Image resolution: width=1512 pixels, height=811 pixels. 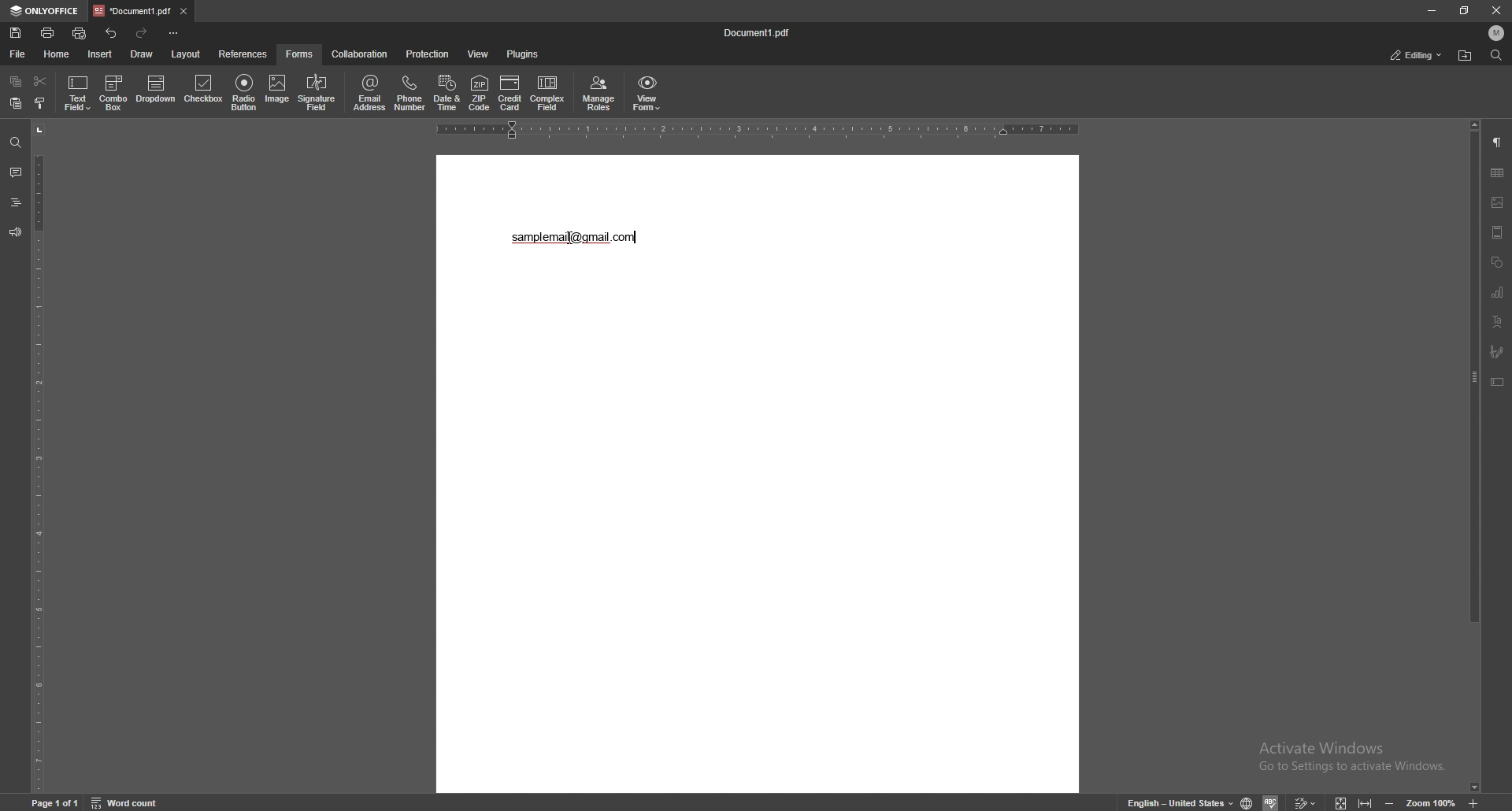 I want to click on redo, so click(x=144, y=33).